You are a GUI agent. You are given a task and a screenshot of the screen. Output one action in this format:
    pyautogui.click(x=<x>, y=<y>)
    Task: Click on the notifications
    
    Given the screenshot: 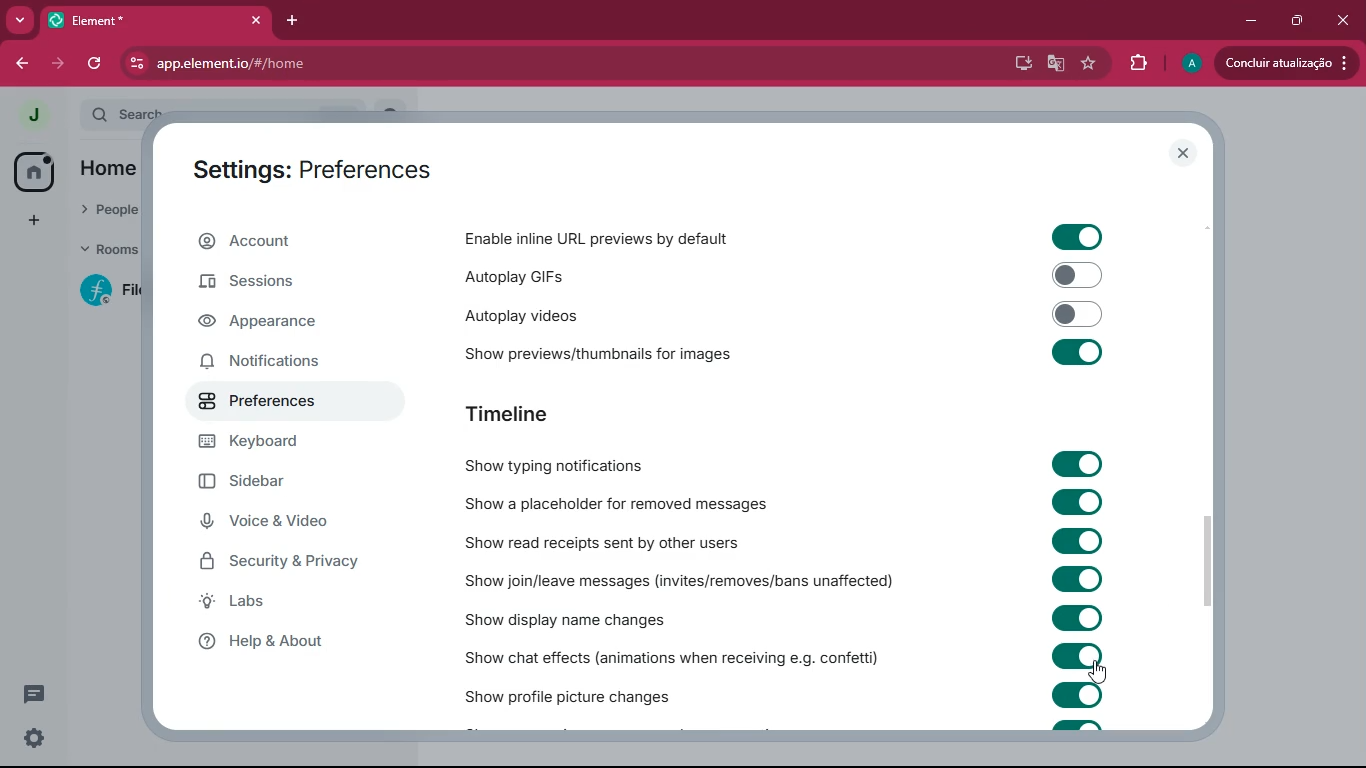 What is the action you would take?
    pyautogui.click(x=278, y=360)
    